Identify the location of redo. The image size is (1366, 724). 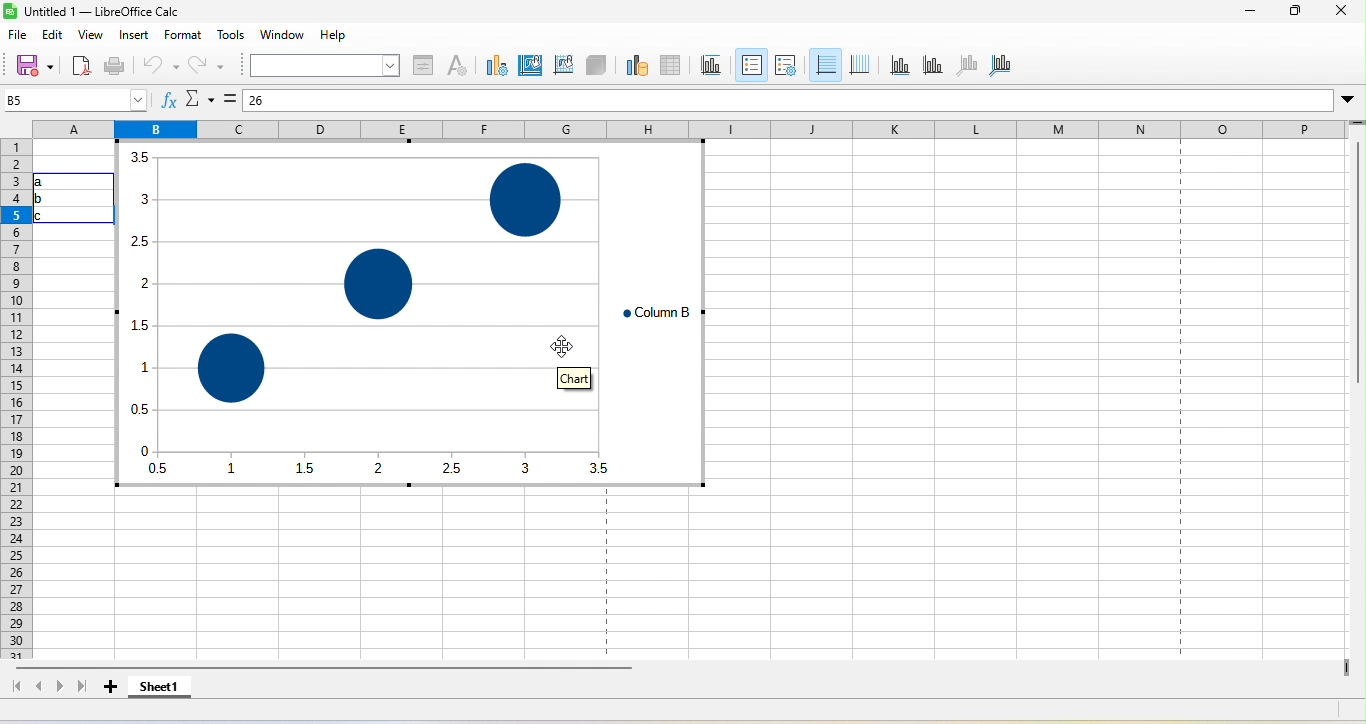
(205, 65).